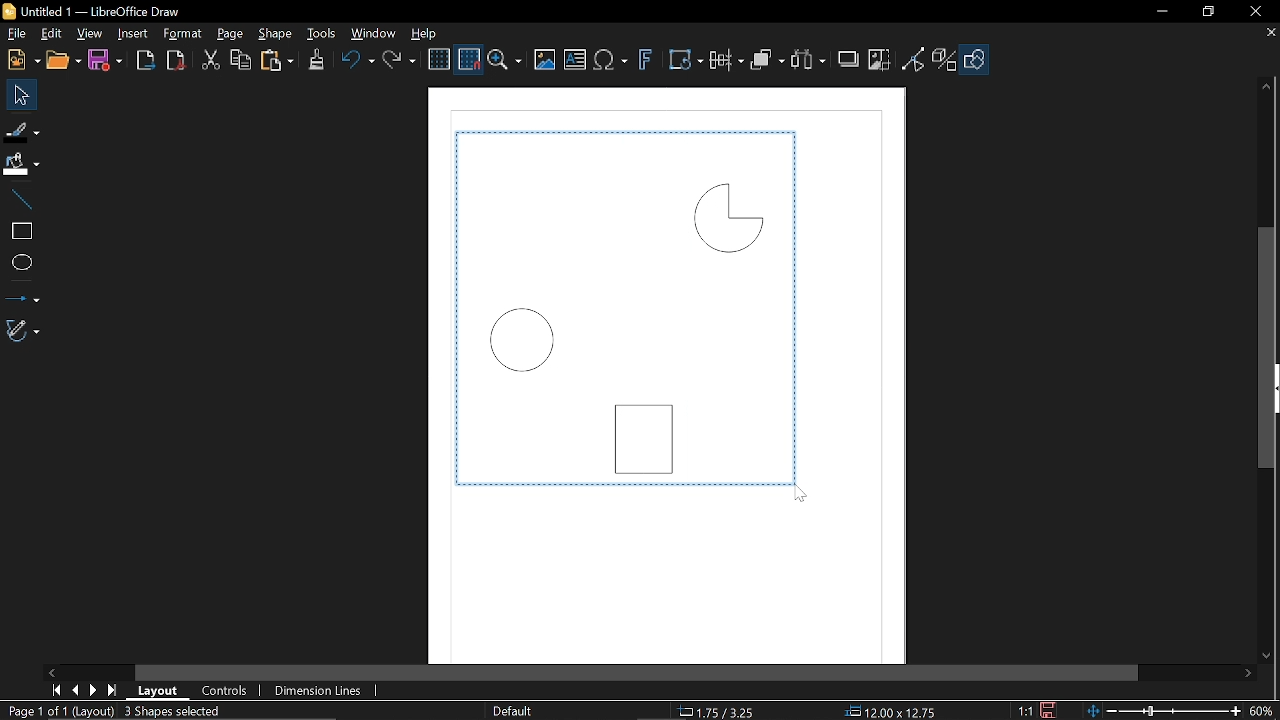 The height and width of the screenshot is (720, 1280). What do you see at coordinates (628, 483) in the screenshot?
I see `line around selected objects` at bounding box center [628, 483].